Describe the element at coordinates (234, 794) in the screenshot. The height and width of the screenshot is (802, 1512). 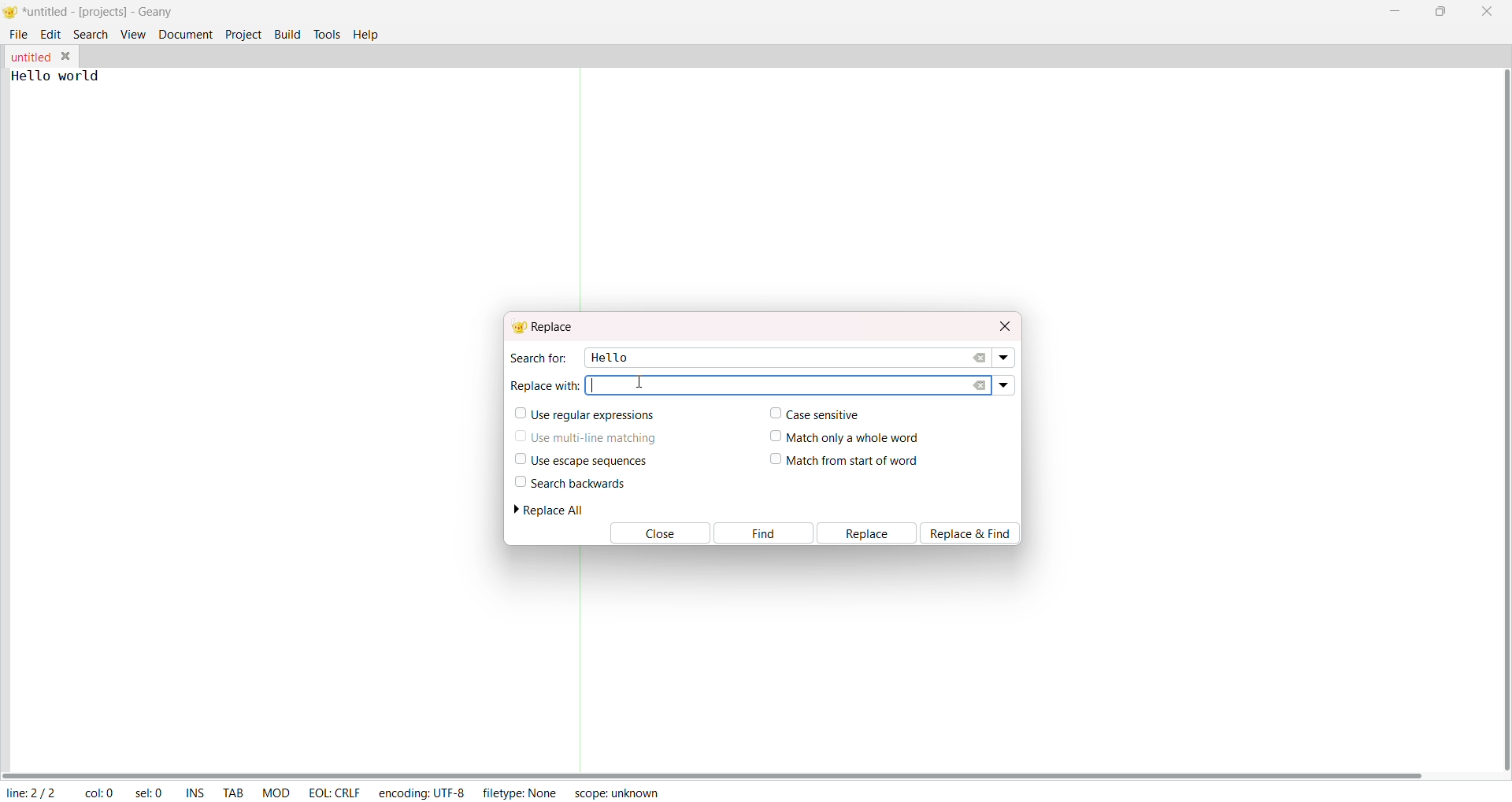
I see `tab` at that location.